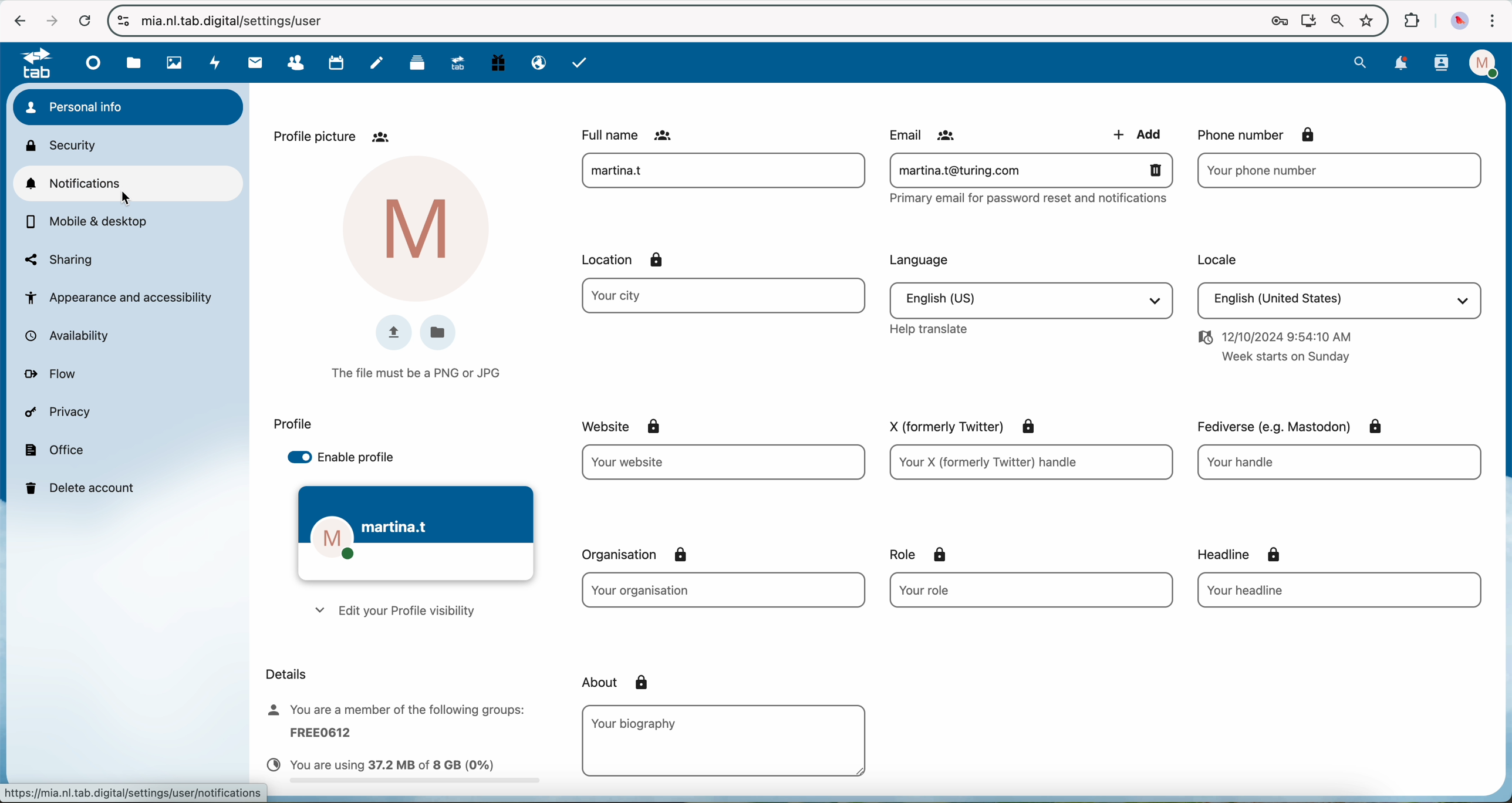 This screenshot has height=803, width=1512. What do you see at coordinates (1402, 63) in the screenshot?
I see `notifications` at bounding box center [1402, 63].